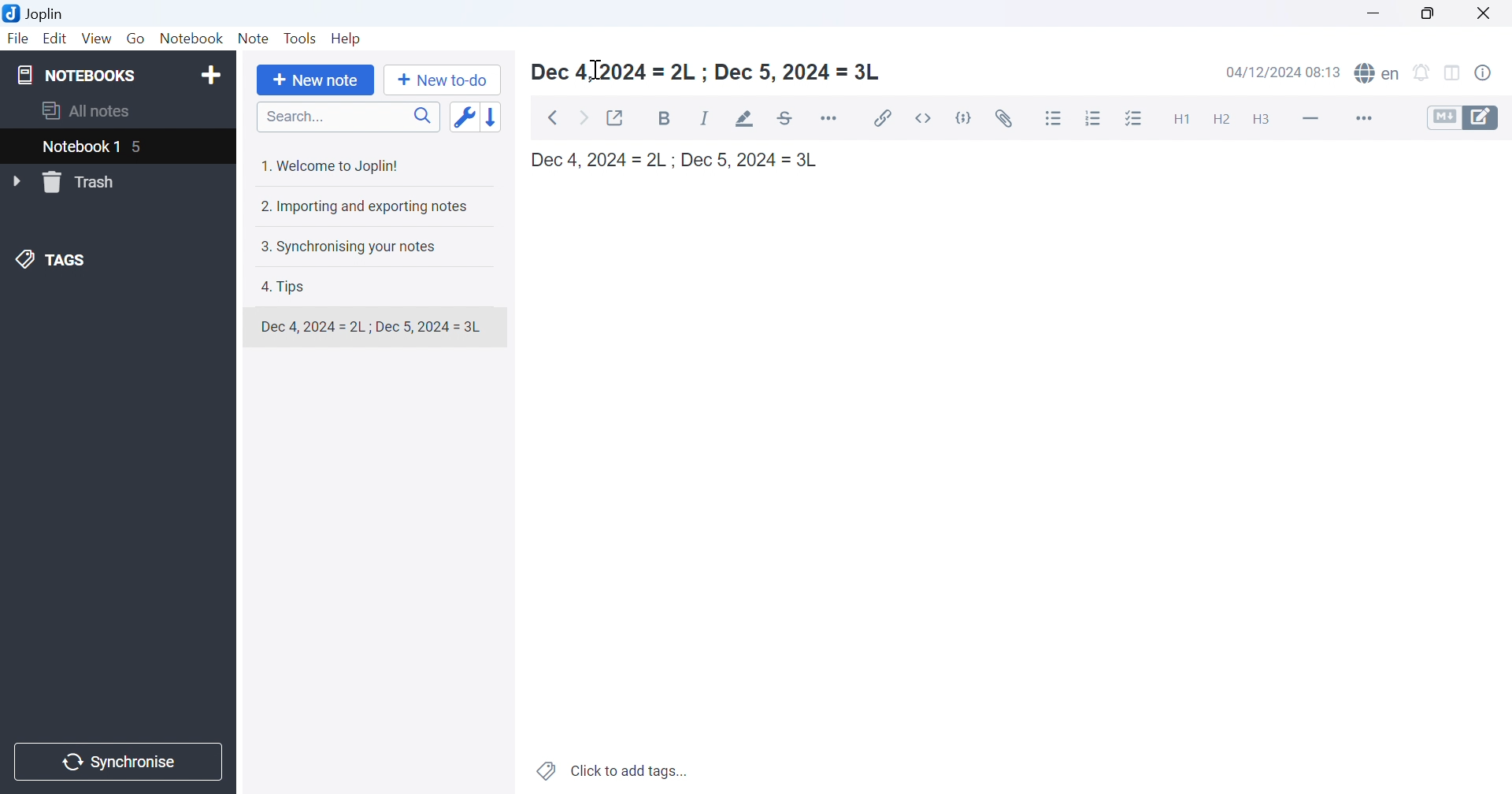 The height and width of the screenshot is (794, 1512). What do you see at coordinates (290, 286) in the screenshot?
I see `4. Tips` at bounding box center [290, 286].